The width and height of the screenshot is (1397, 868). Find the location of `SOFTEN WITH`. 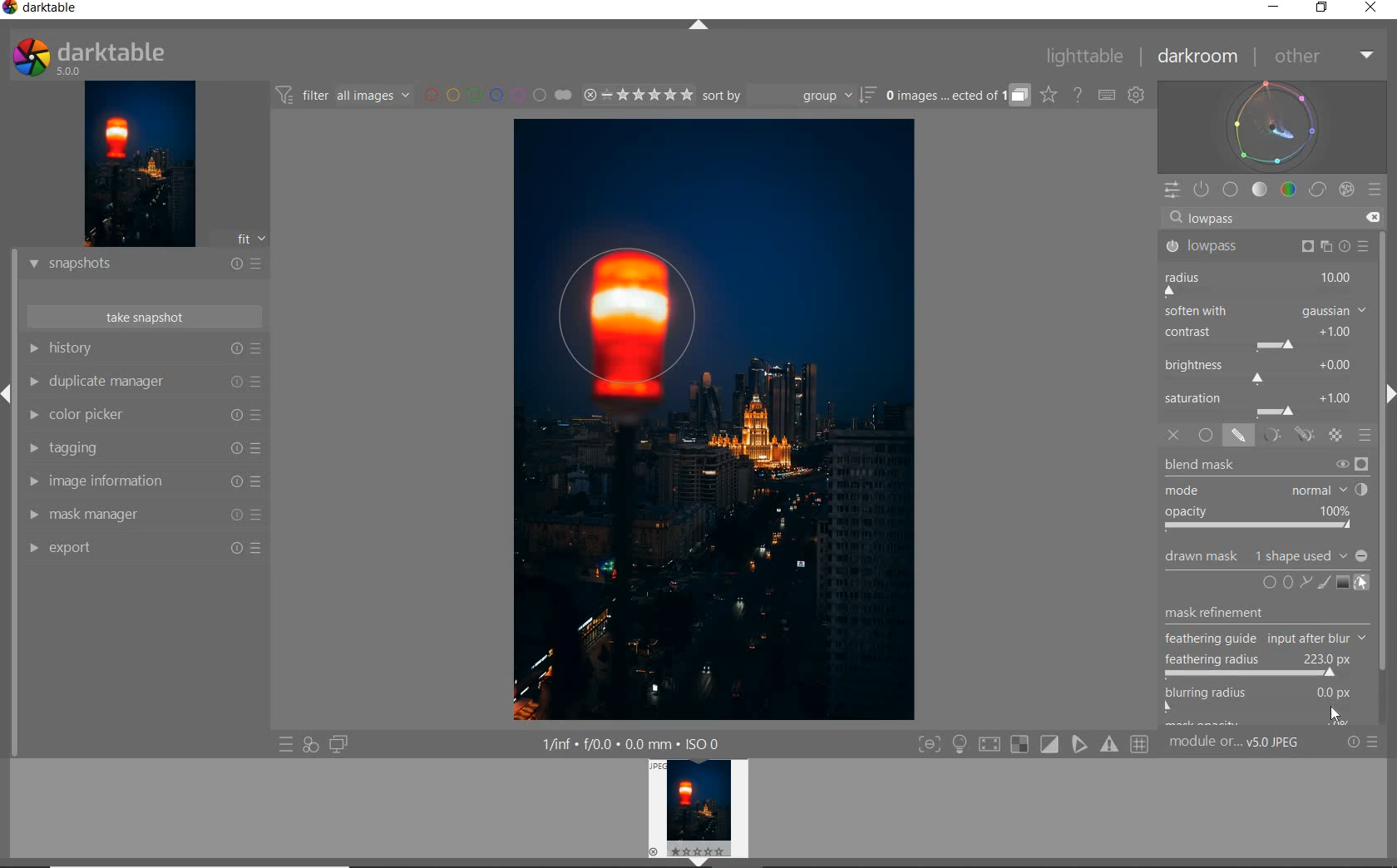

SOFTEN WITH is located at coordinates (1266, 312).